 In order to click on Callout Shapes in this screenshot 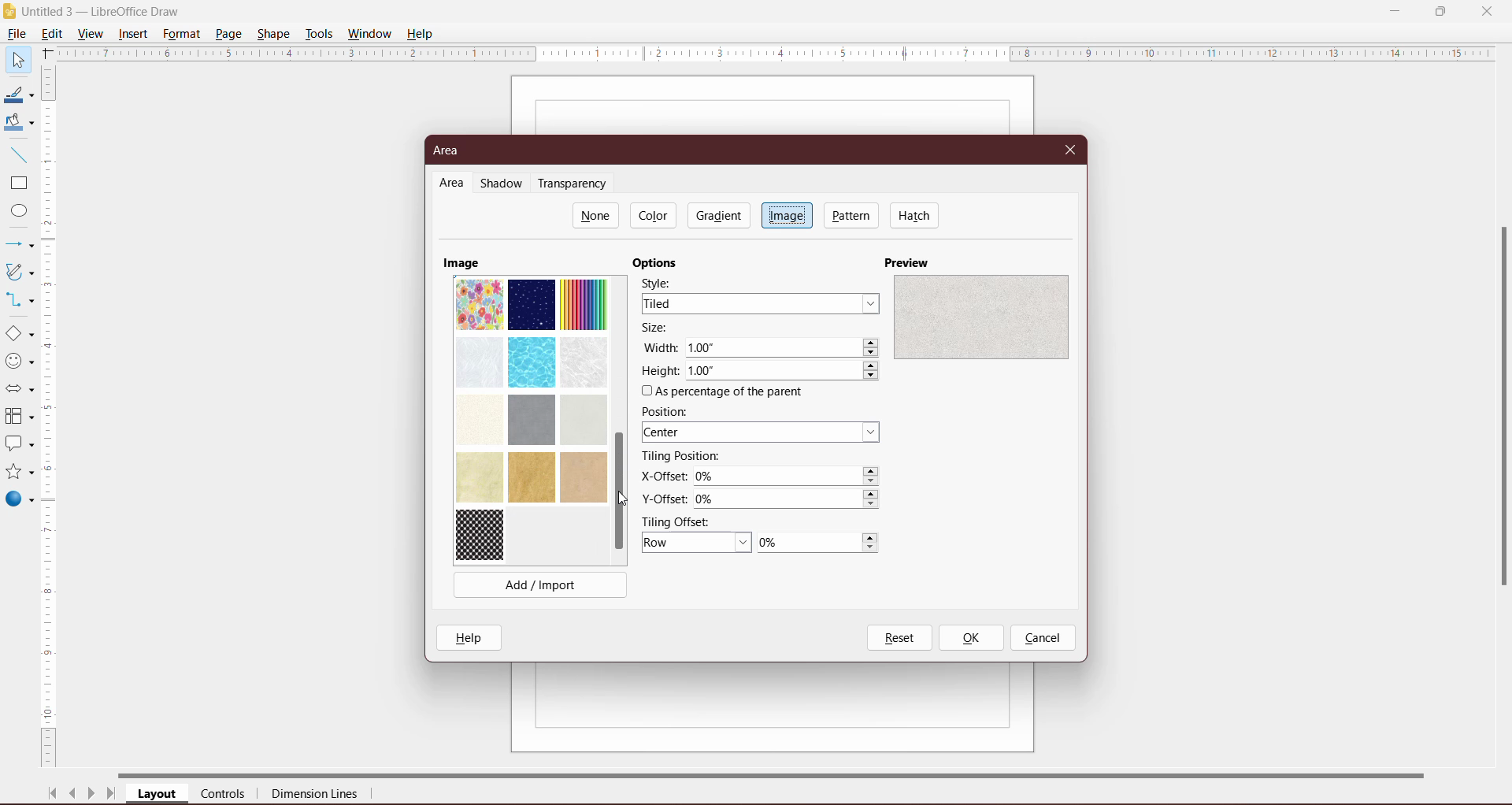, I will do `click(18, 445)`.